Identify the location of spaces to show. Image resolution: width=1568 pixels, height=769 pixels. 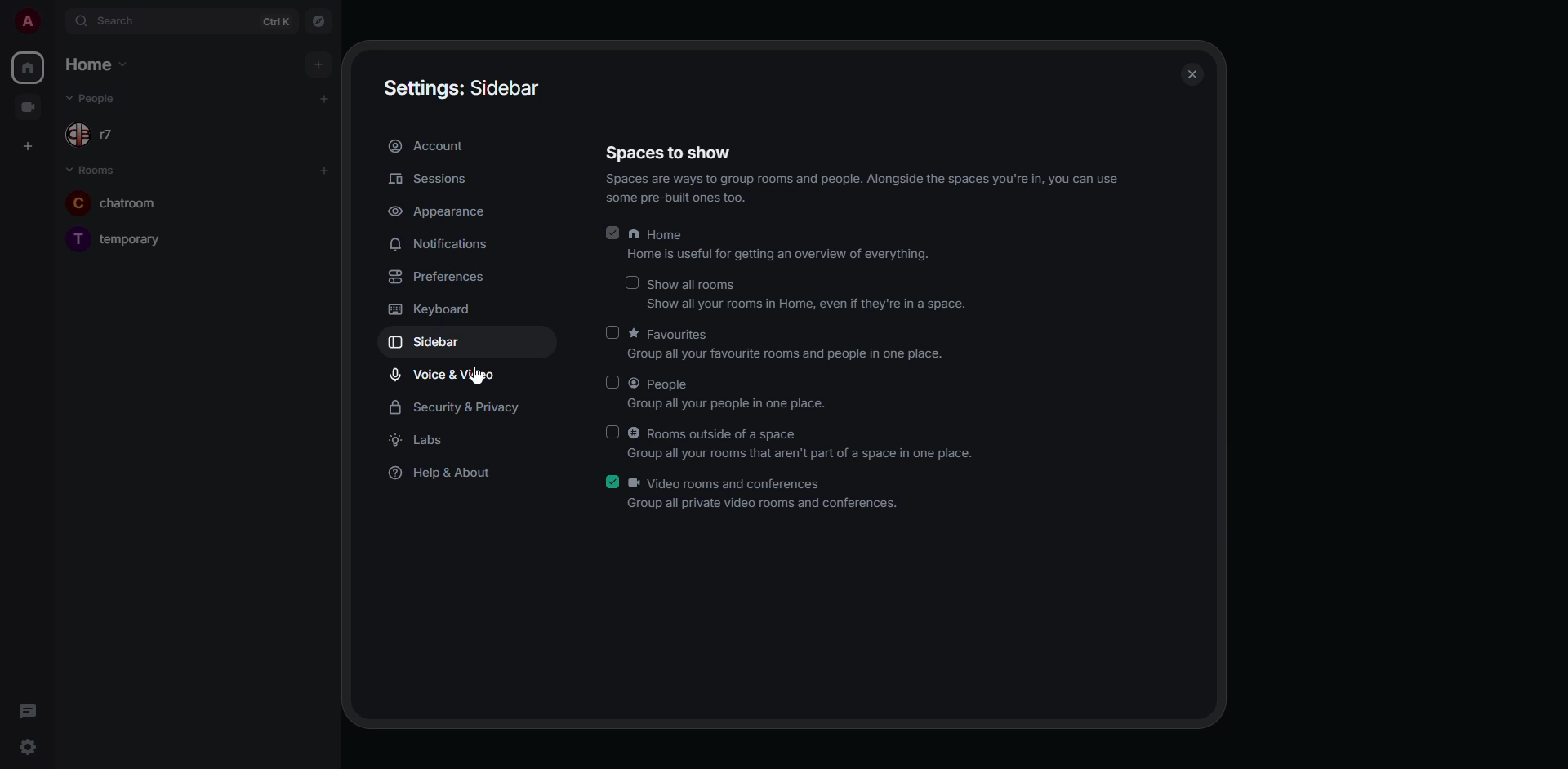
(865, 169).